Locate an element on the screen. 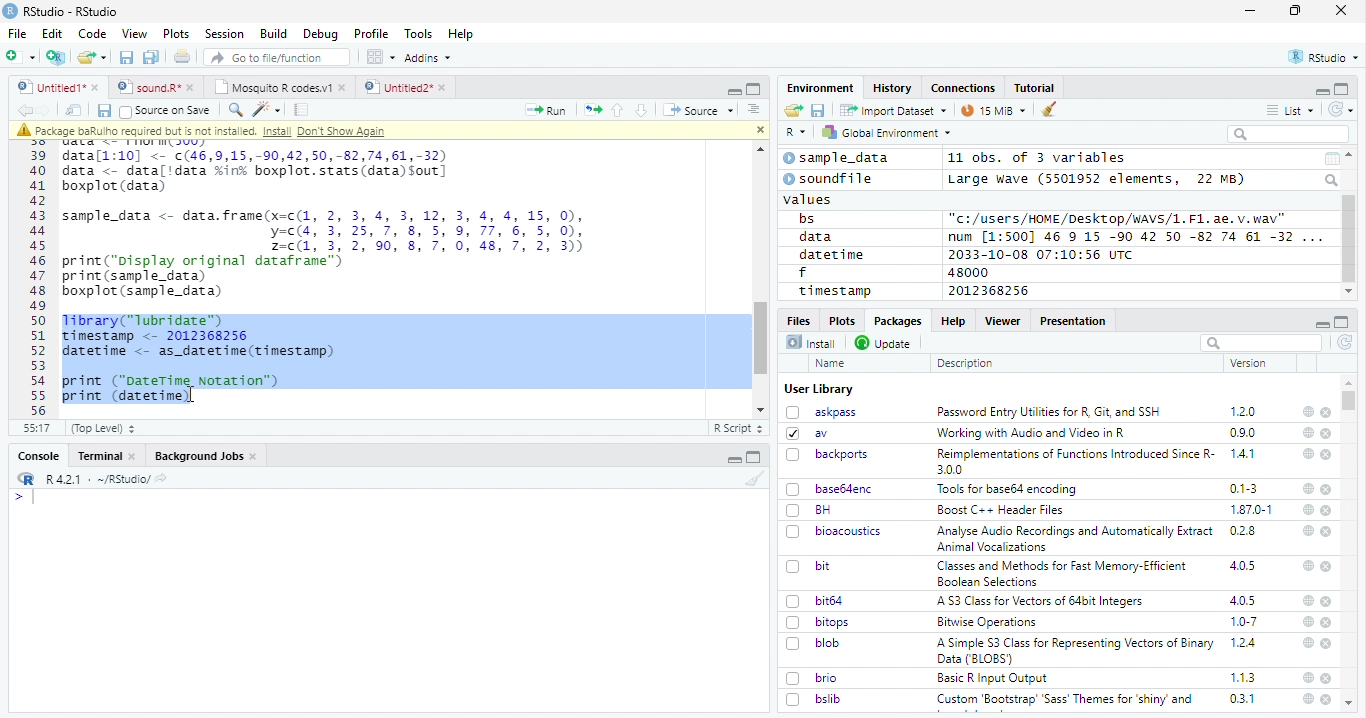 The width and height of the screenshot is (1366, 718). values is located at coordinates (809, 198).